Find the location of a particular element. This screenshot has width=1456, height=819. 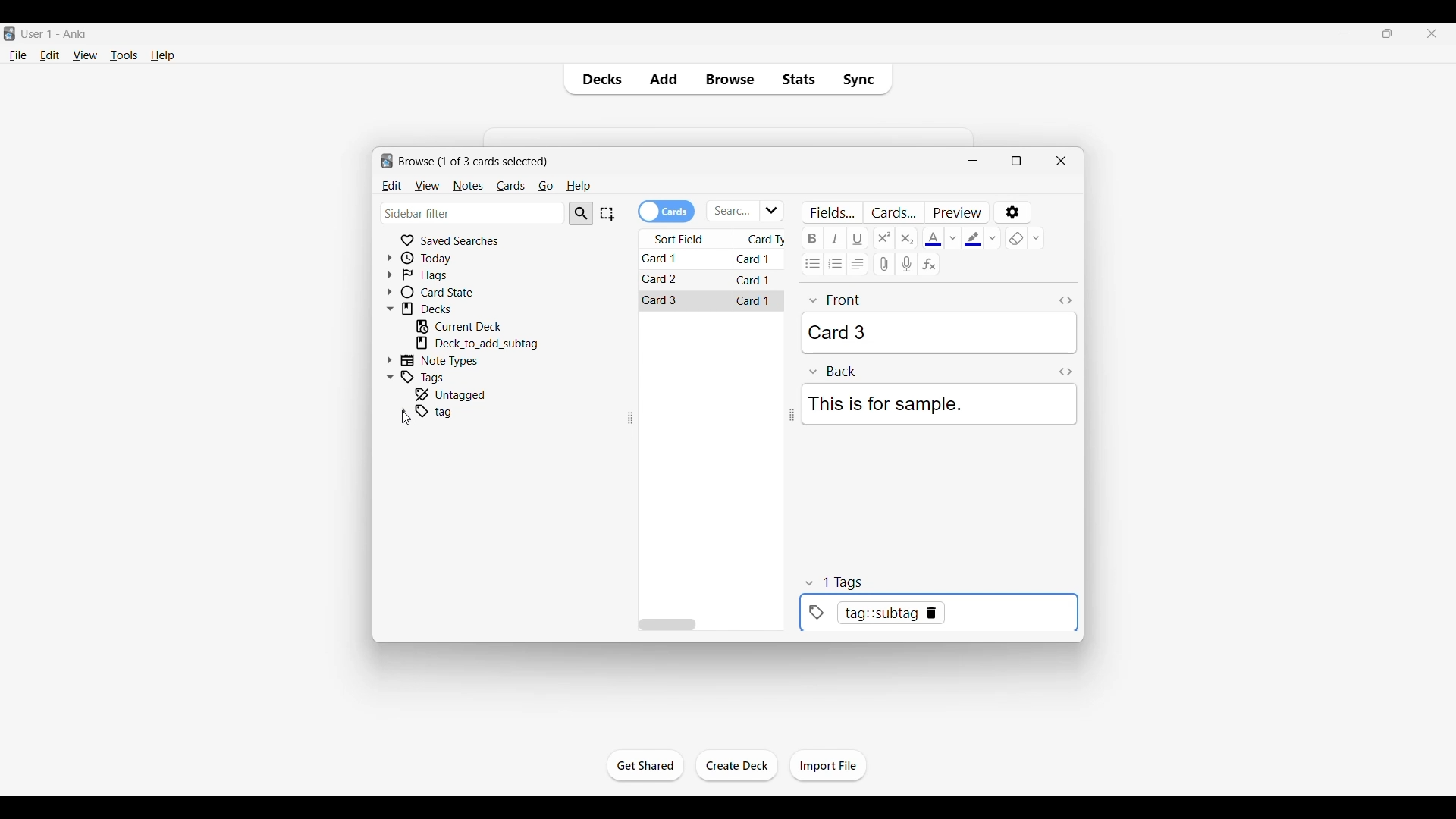

Edit menu is located at coordinates (392, 187).